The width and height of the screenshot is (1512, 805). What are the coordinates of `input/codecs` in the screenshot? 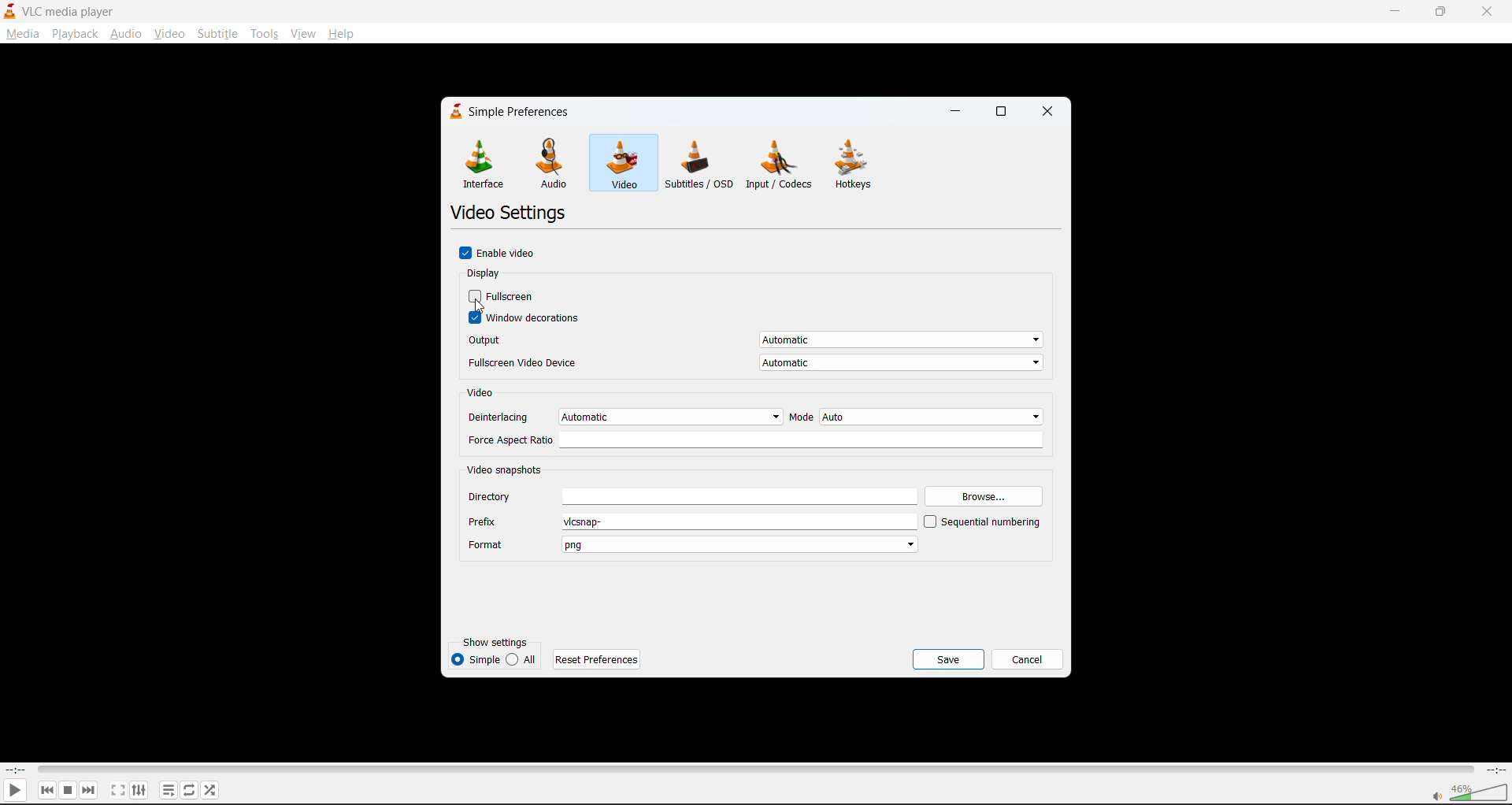 It's located at (781, 165).